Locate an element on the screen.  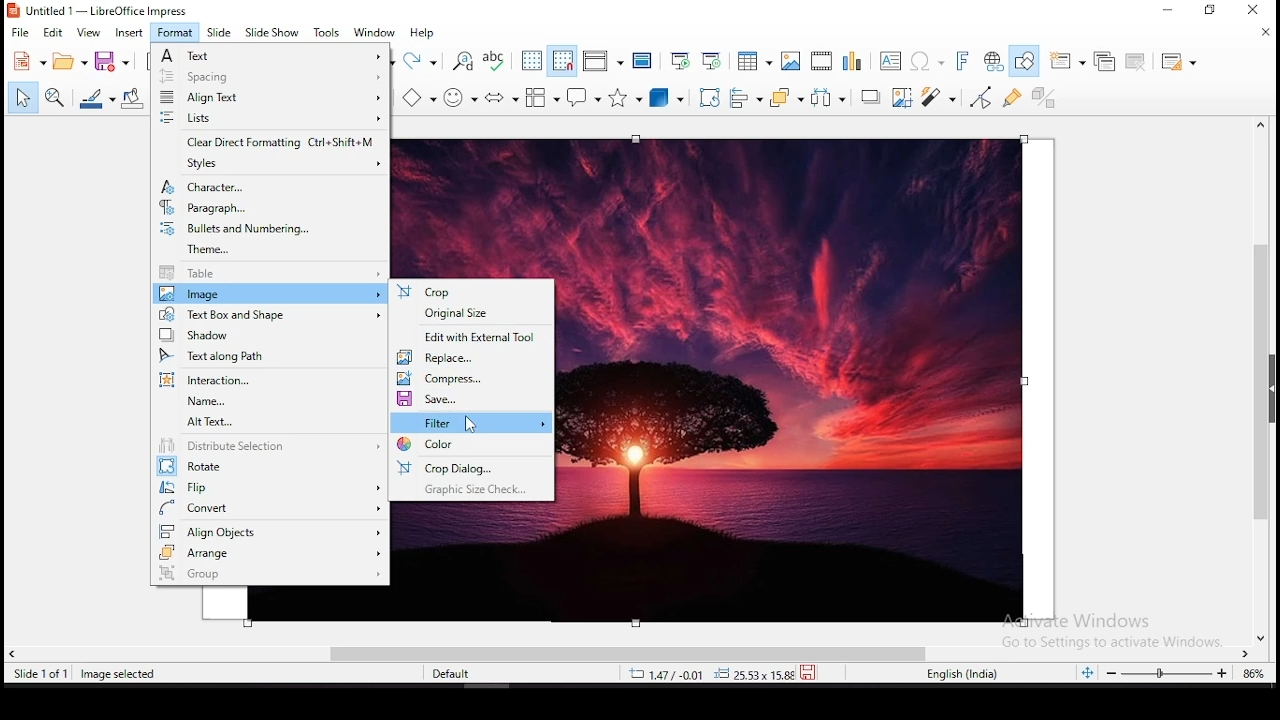
name is located at coordinates (268, 402).